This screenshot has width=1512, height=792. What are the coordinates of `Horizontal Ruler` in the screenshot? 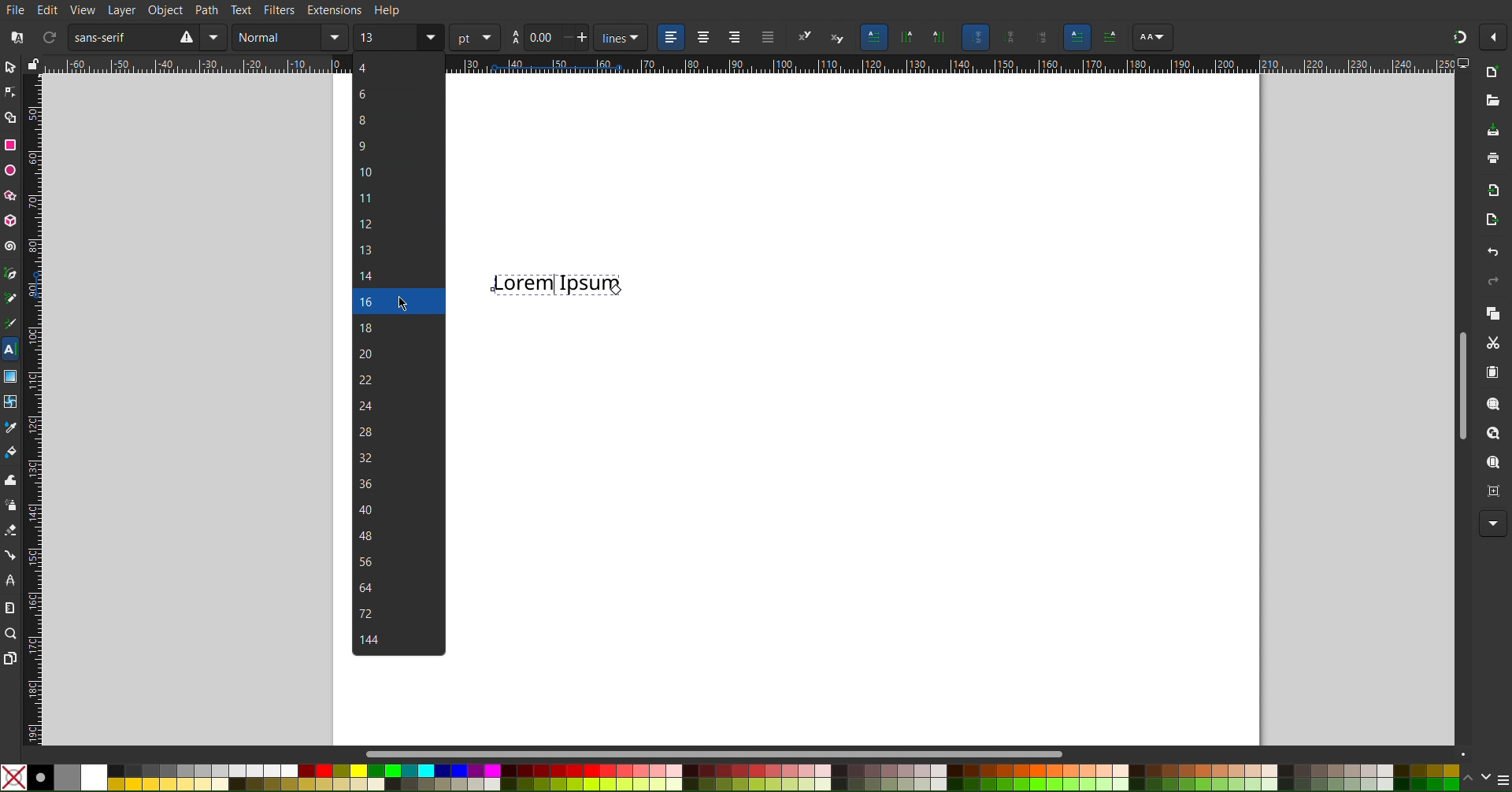 It's located at (953, 65).